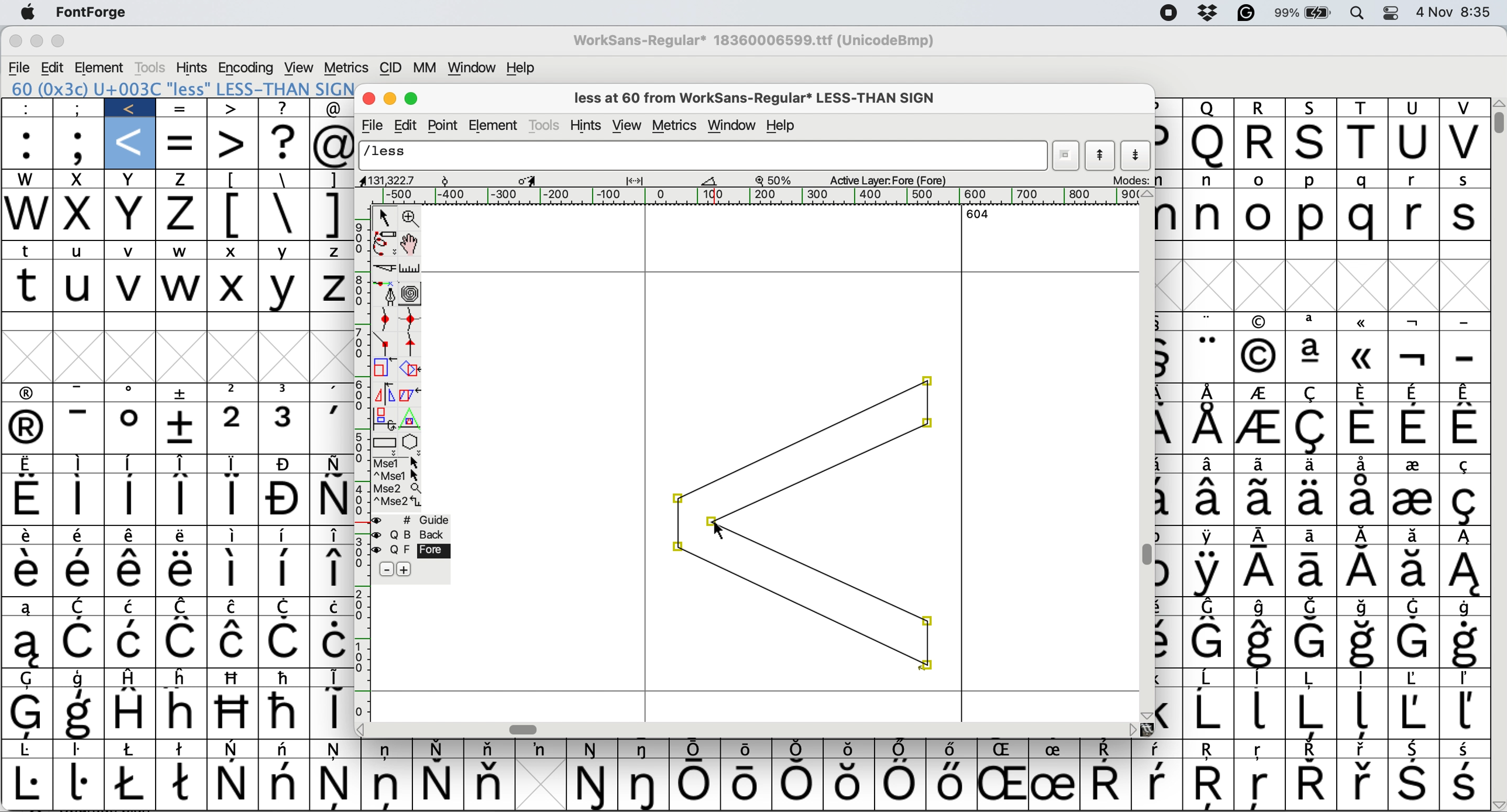 The height and width of the screenshot is (812, 1507). What do you see at coordinates (486, 783) in the screenshot?
I see `Symbol` at bounding box center [486, 783].